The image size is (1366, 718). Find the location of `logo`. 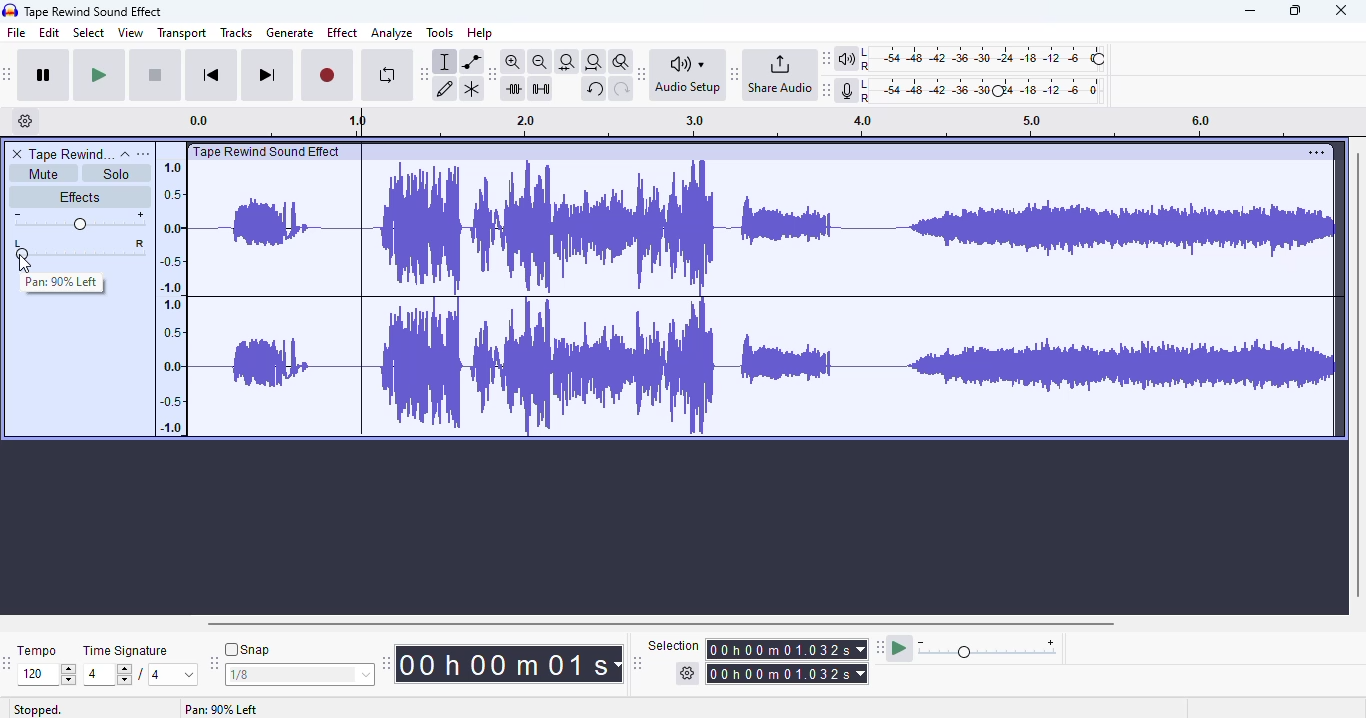

logo is located at coordinates (10, 10).